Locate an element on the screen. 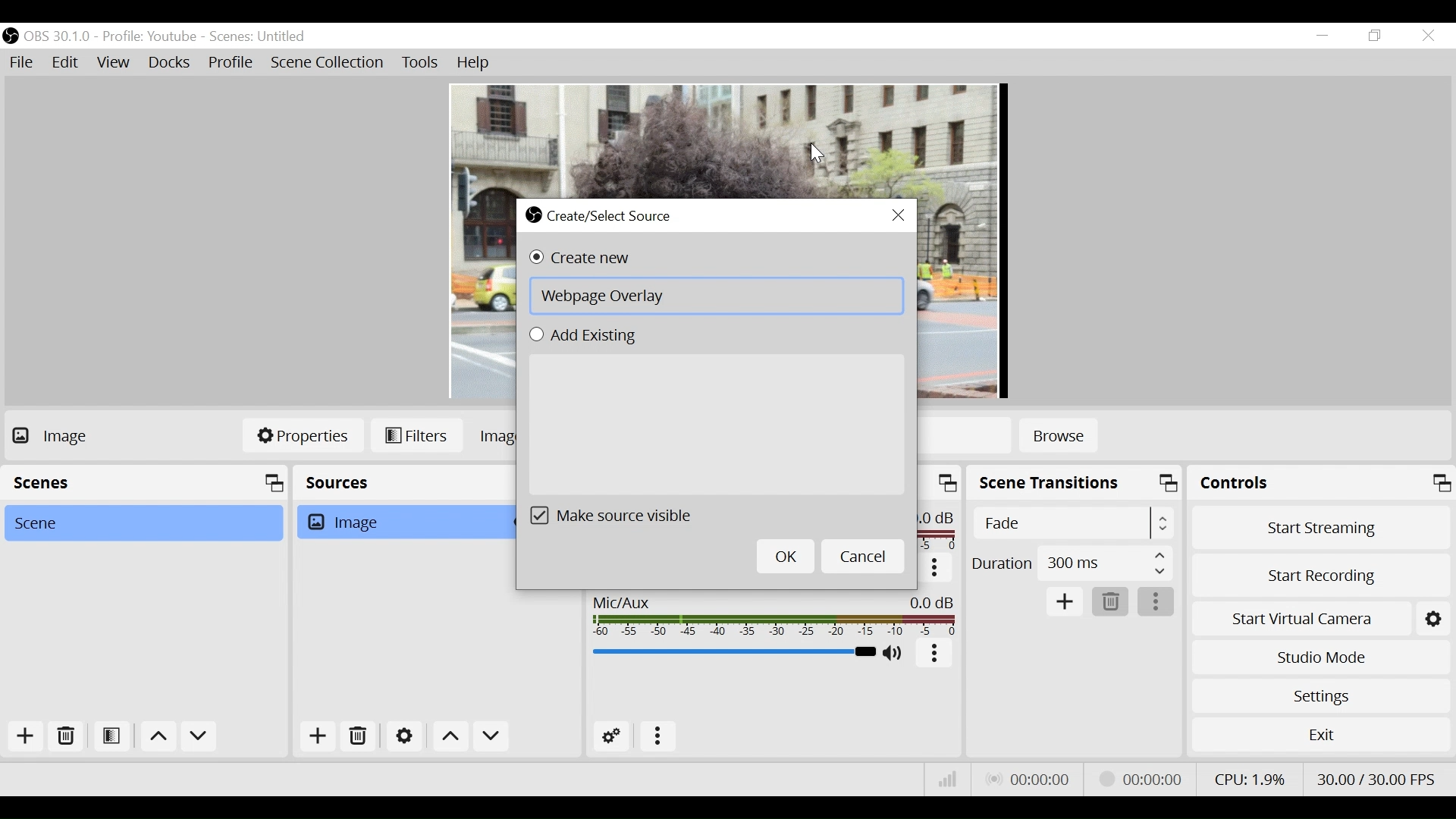 This screenshot has width=1456, height=819. View is located at coordinates (113, 64).